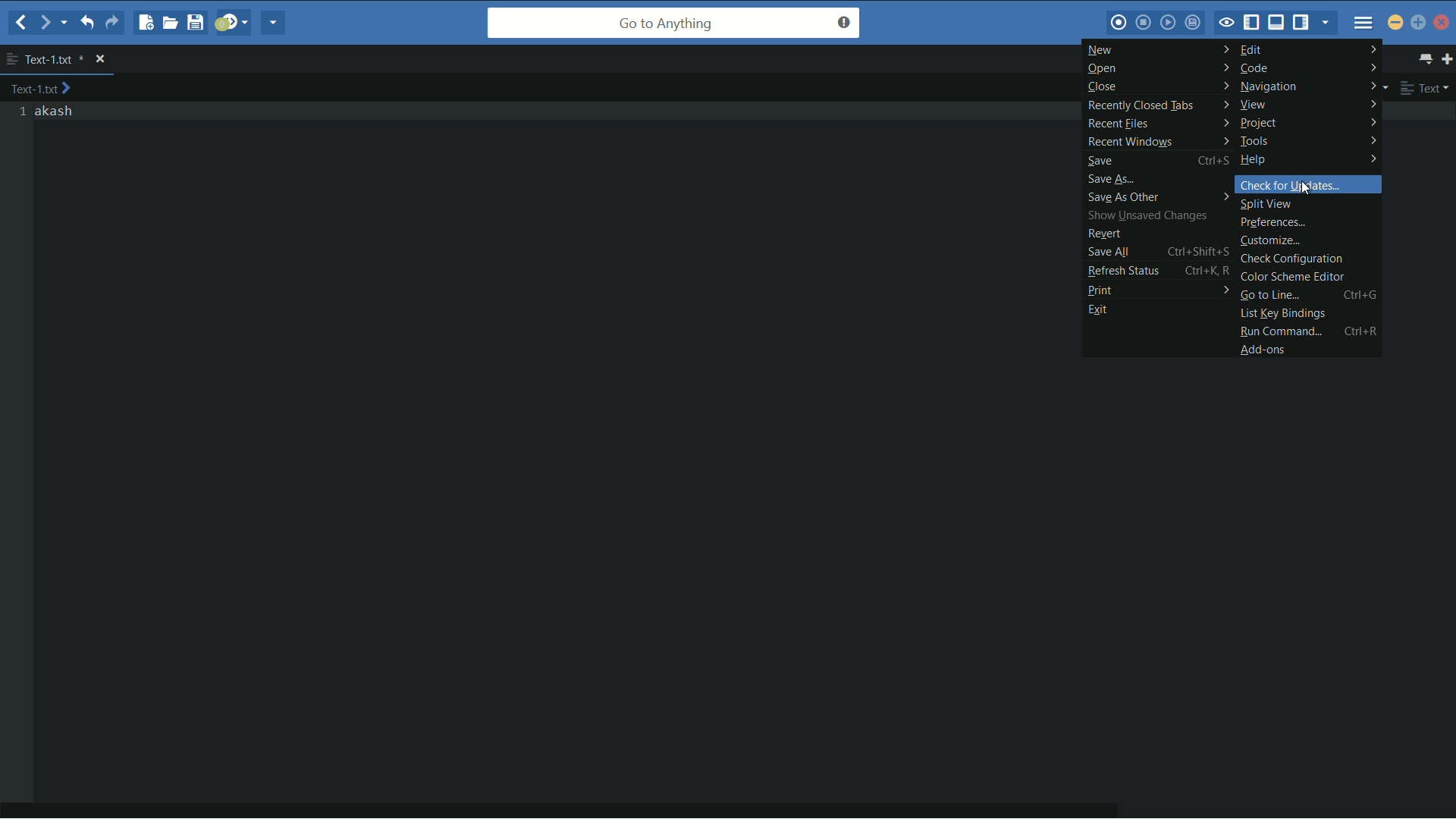 The height and width of the screenshot is (819, 1456). Describe the element at coordinates (51, 60) in the screenshot. I see `file name` at that location.